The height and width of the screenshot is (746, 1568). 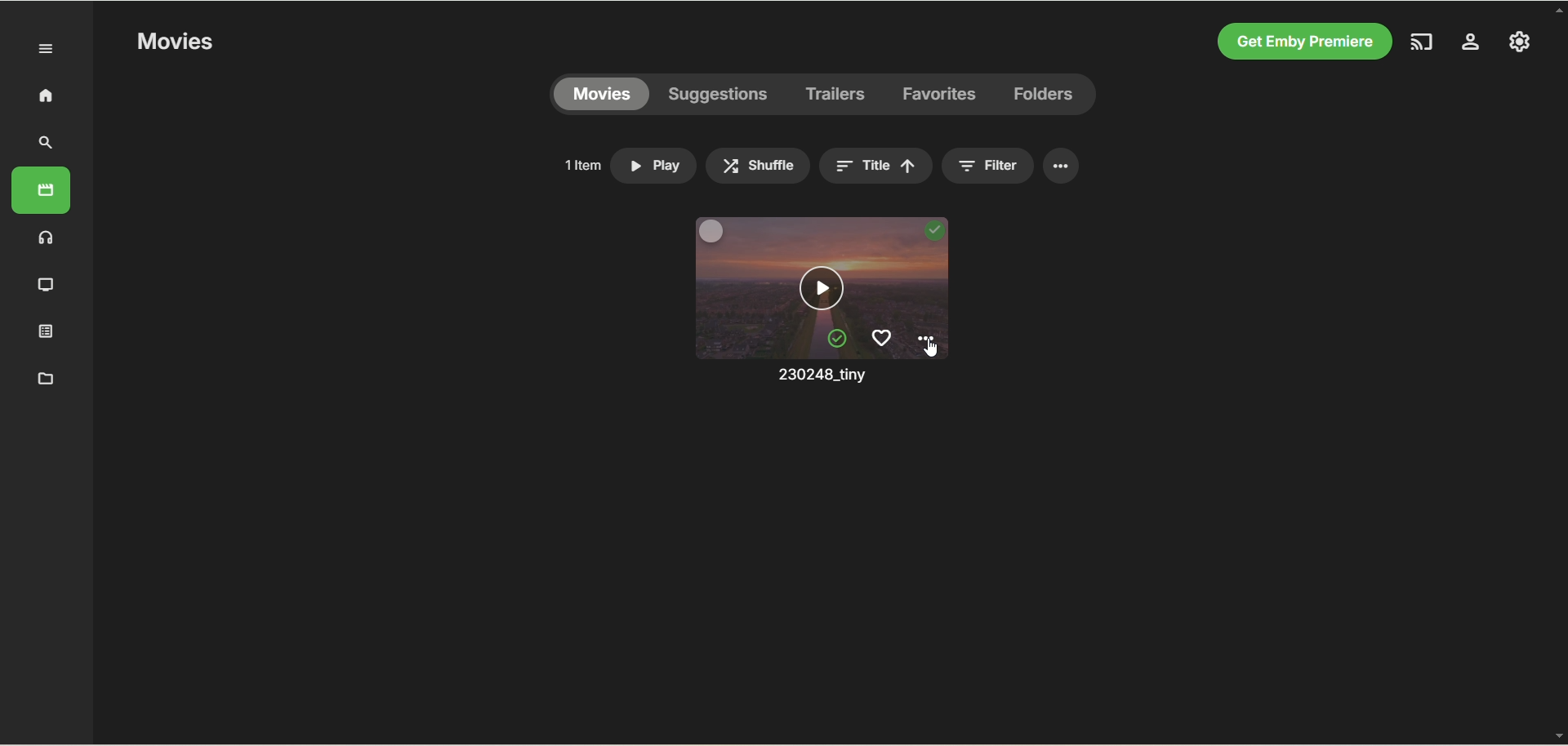 I want to click on multi-select, so click(x=711, y=231).